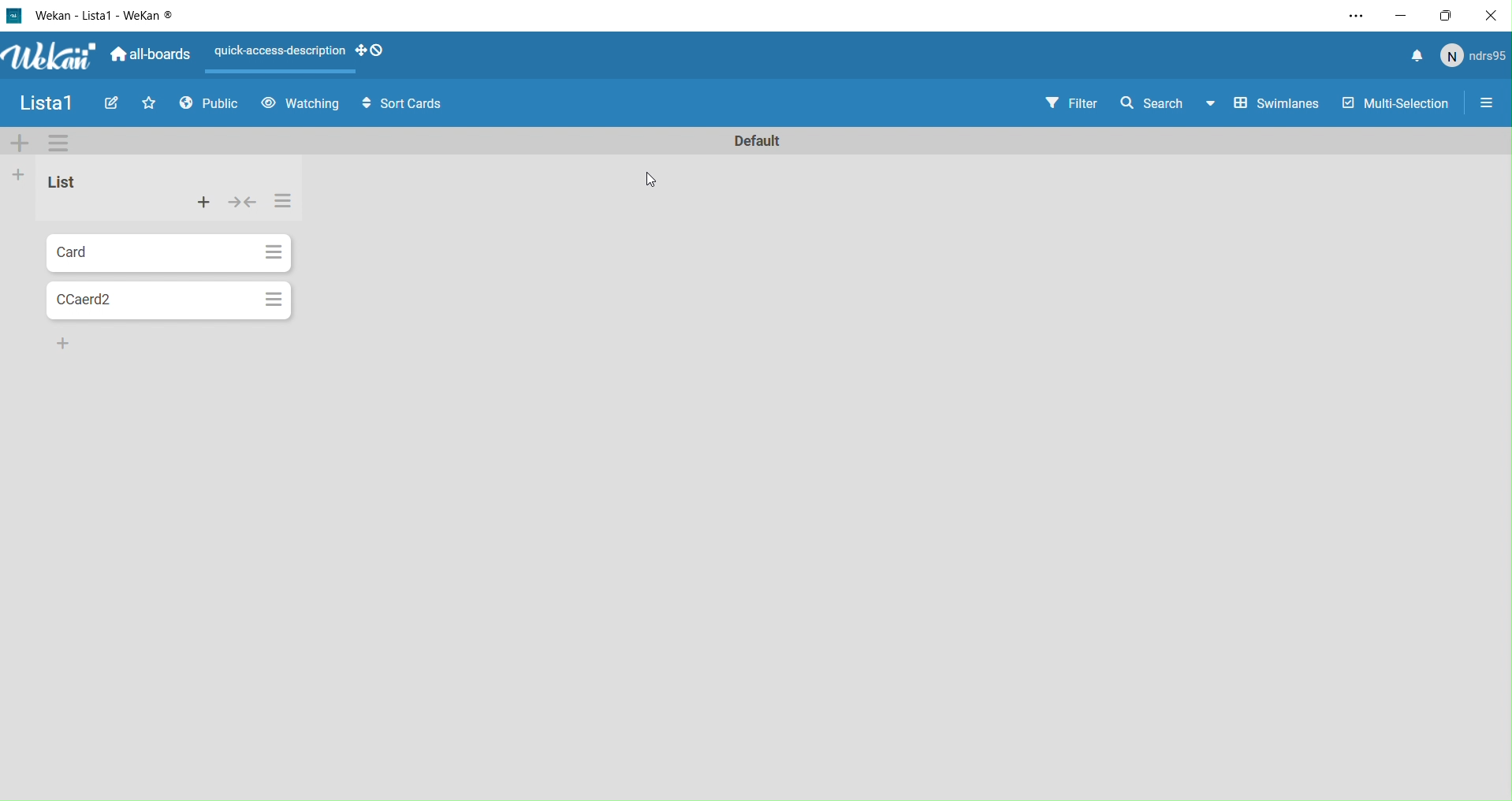  Describe the element at coordinates (247, 204) in the screenshot. I see `collapse` at that location.